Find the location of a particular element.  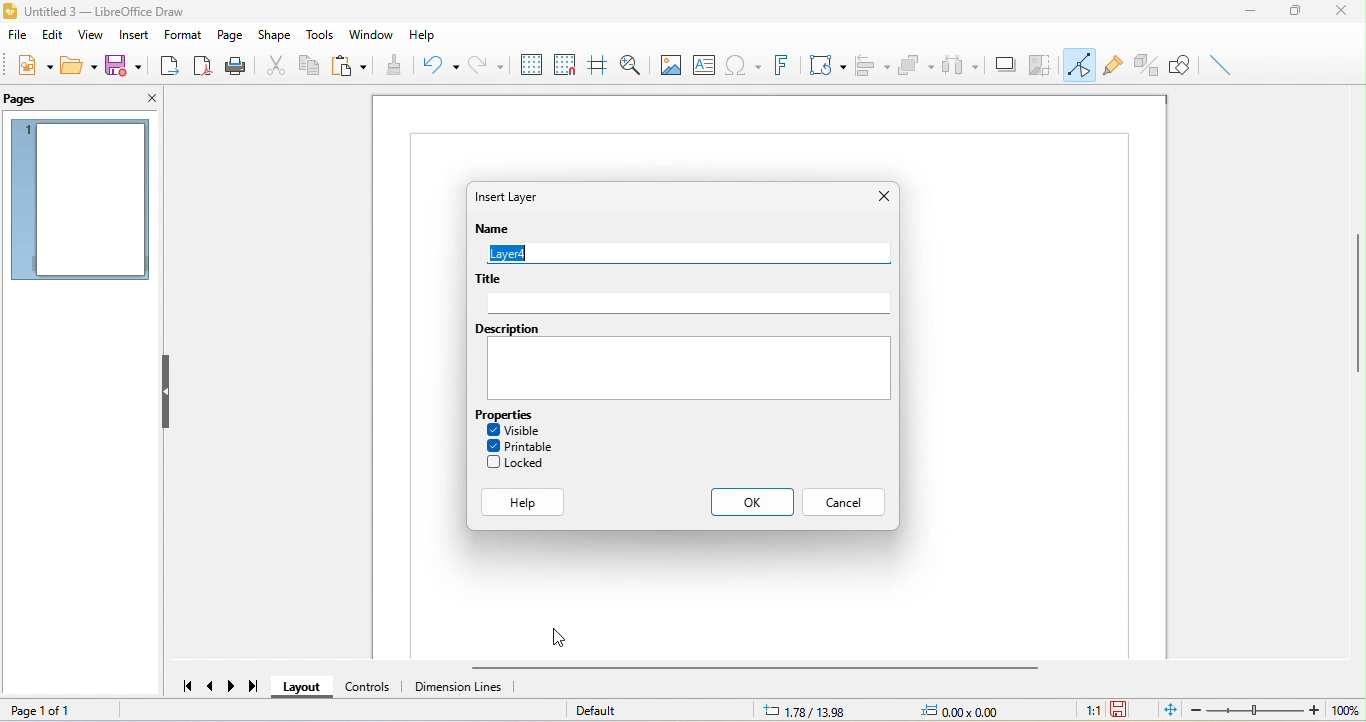

view is located at coordinates (89, 35).